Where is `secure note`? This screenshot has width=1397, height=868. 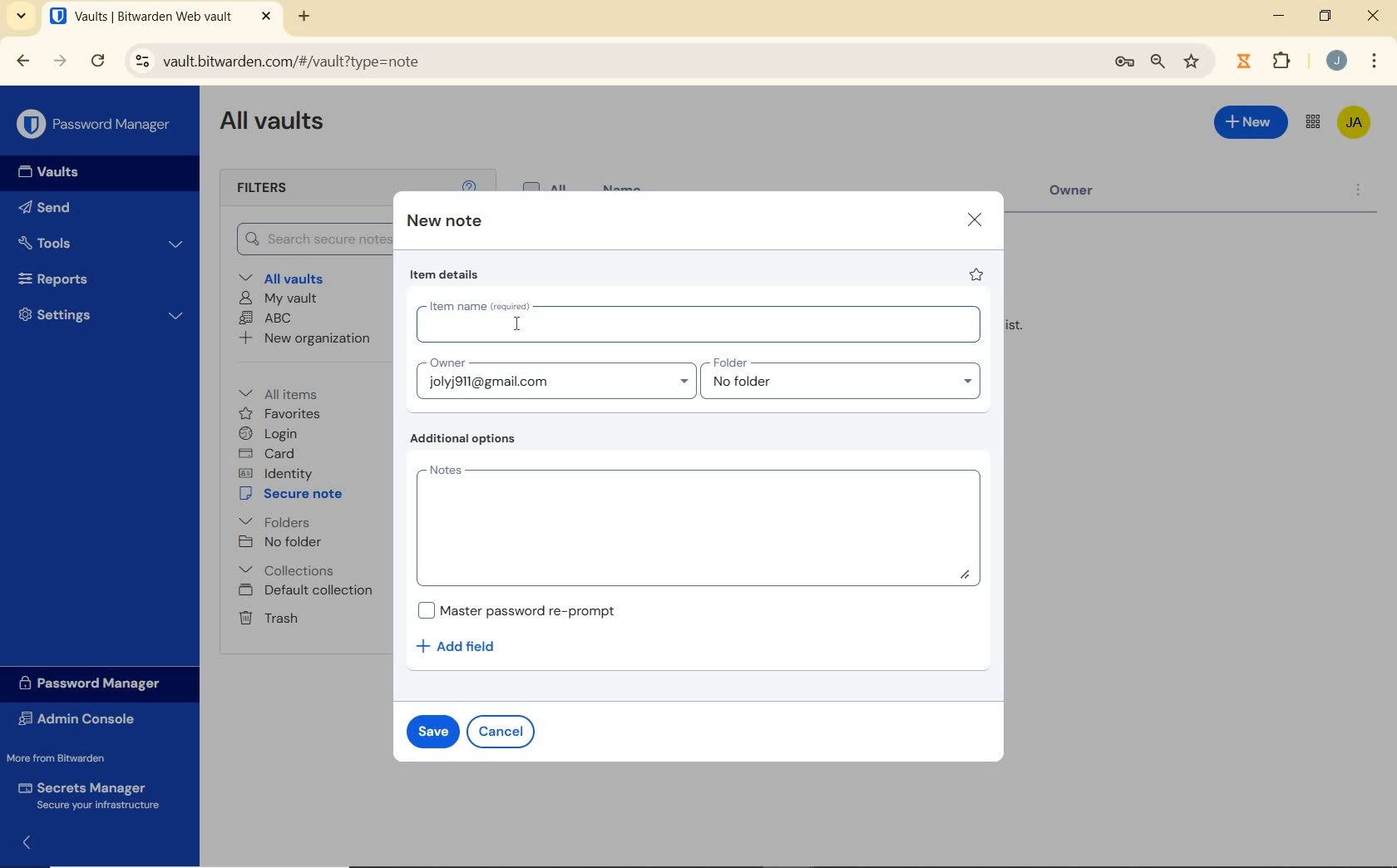
secure note is located at coordinates (294, 494).